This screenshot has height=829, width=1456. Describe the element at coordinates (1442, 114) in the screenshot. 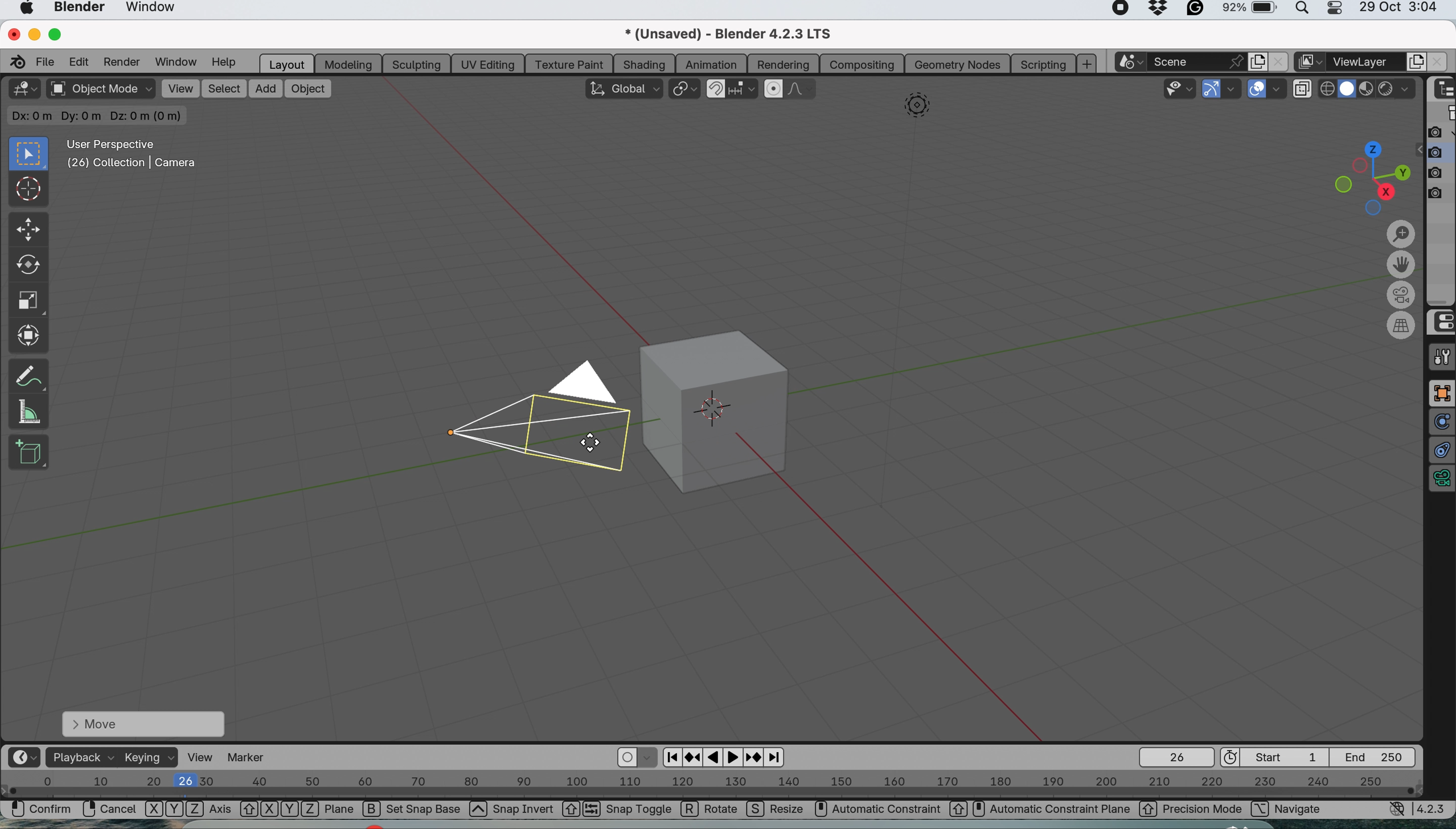

I see `scene collection` at that location.